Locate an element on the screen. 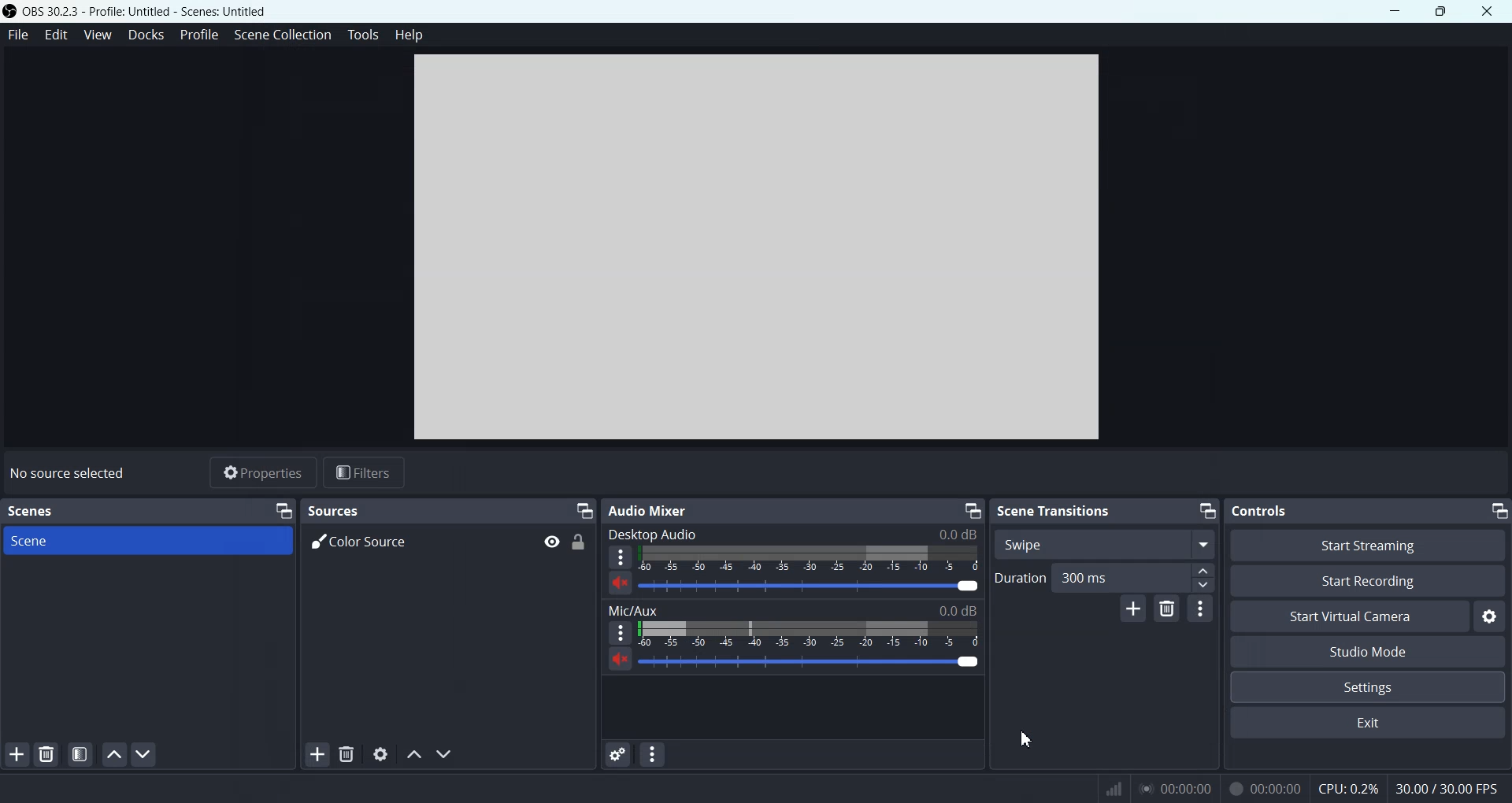 Image resolution: width=1512 pixels, height=803 pixels. Duration is located at coordinates (1104, 578).